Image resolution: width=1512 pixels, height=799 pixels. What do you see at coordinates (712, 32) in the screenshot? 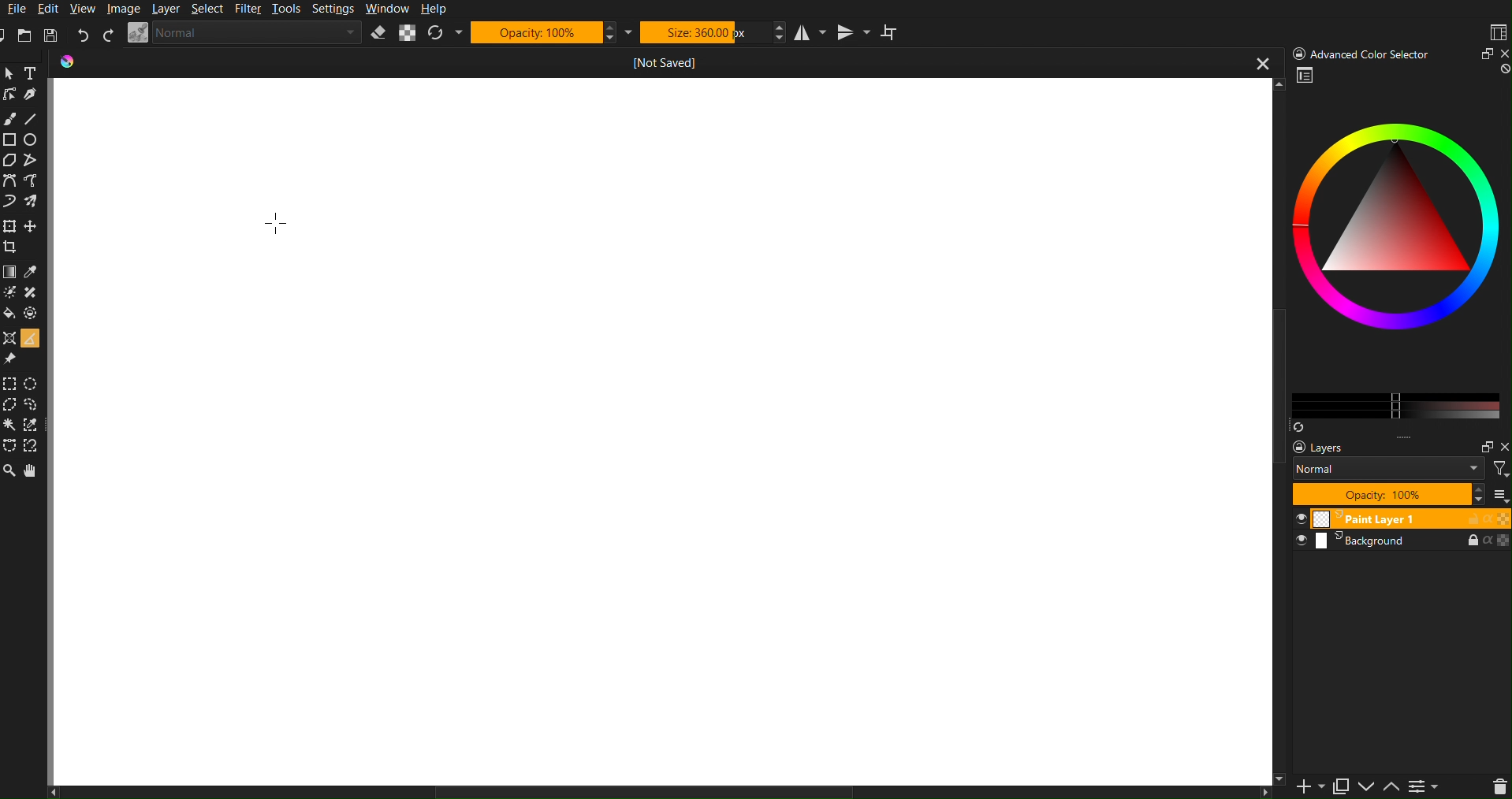
I see `Size` at bounding box center [712, 32].